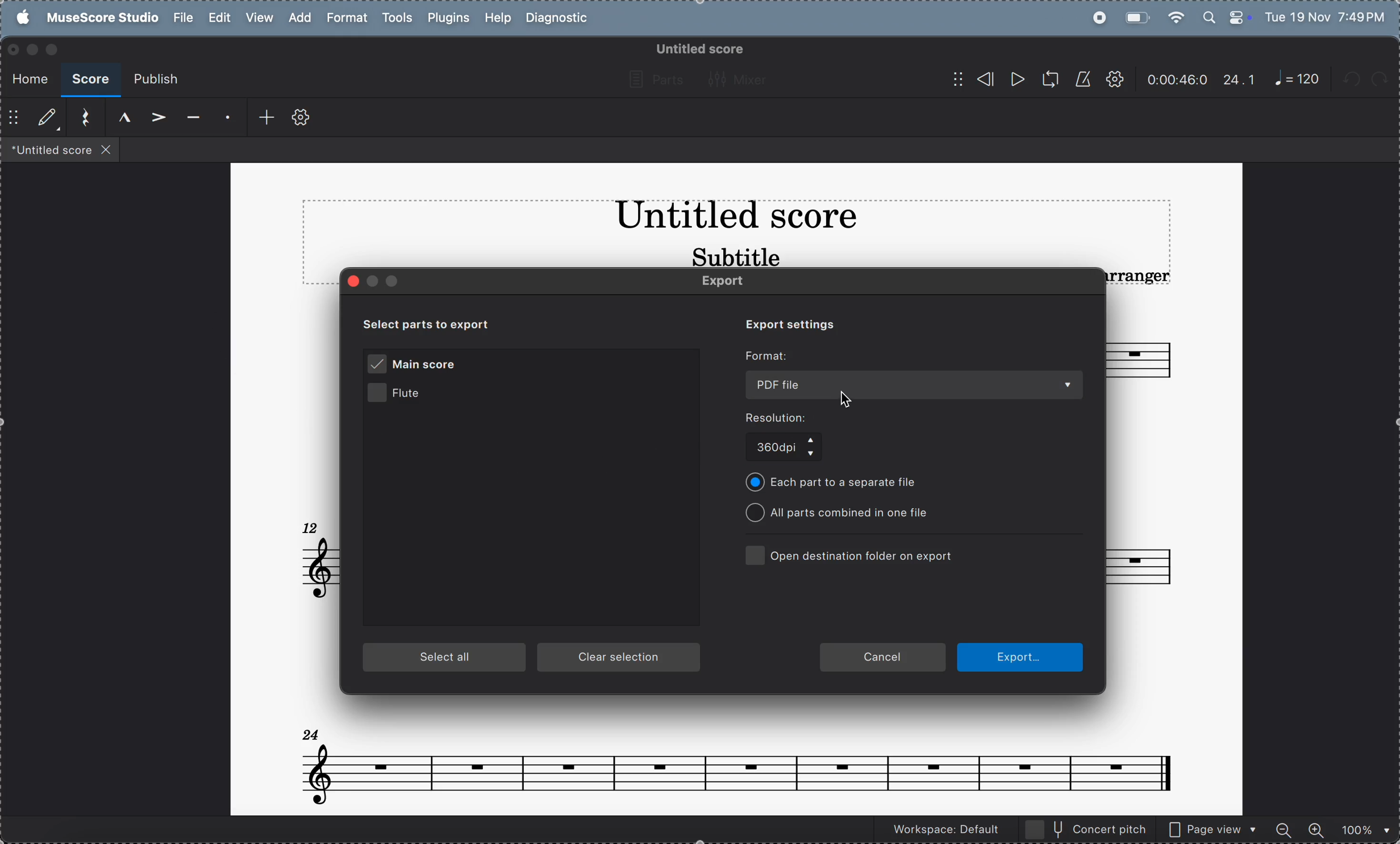 The height and width of the screenshot is (844, 1400). Describe the element at coordinates (99, 18) in the screenshot. I see `musescore studio` at that location.